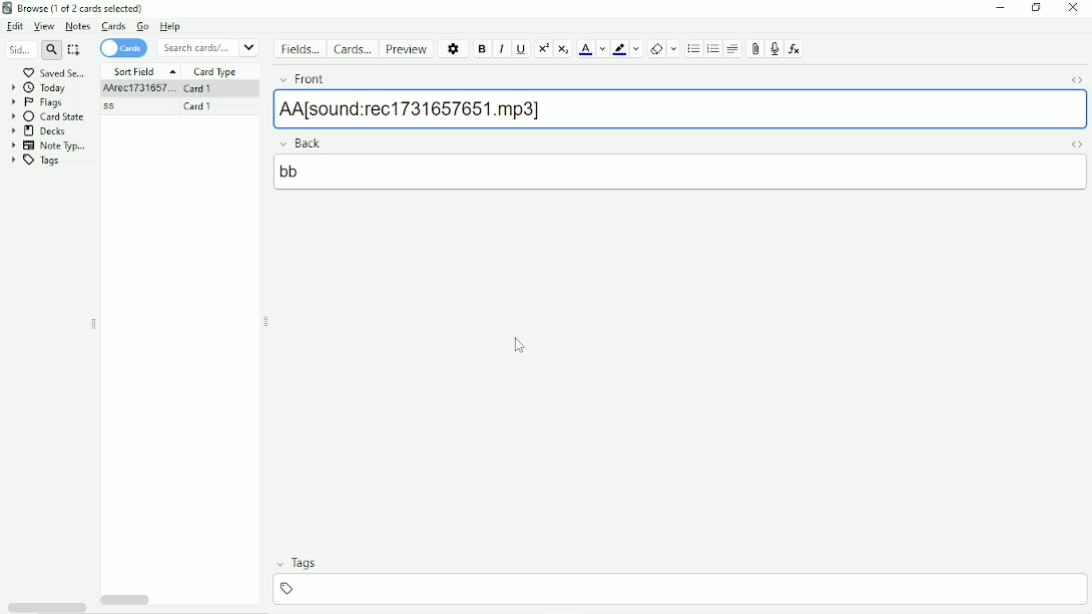  What do you see at coordinates (1001, 7) in the screenshot?
I see `Minimize` at bounding box center [1001, 7].